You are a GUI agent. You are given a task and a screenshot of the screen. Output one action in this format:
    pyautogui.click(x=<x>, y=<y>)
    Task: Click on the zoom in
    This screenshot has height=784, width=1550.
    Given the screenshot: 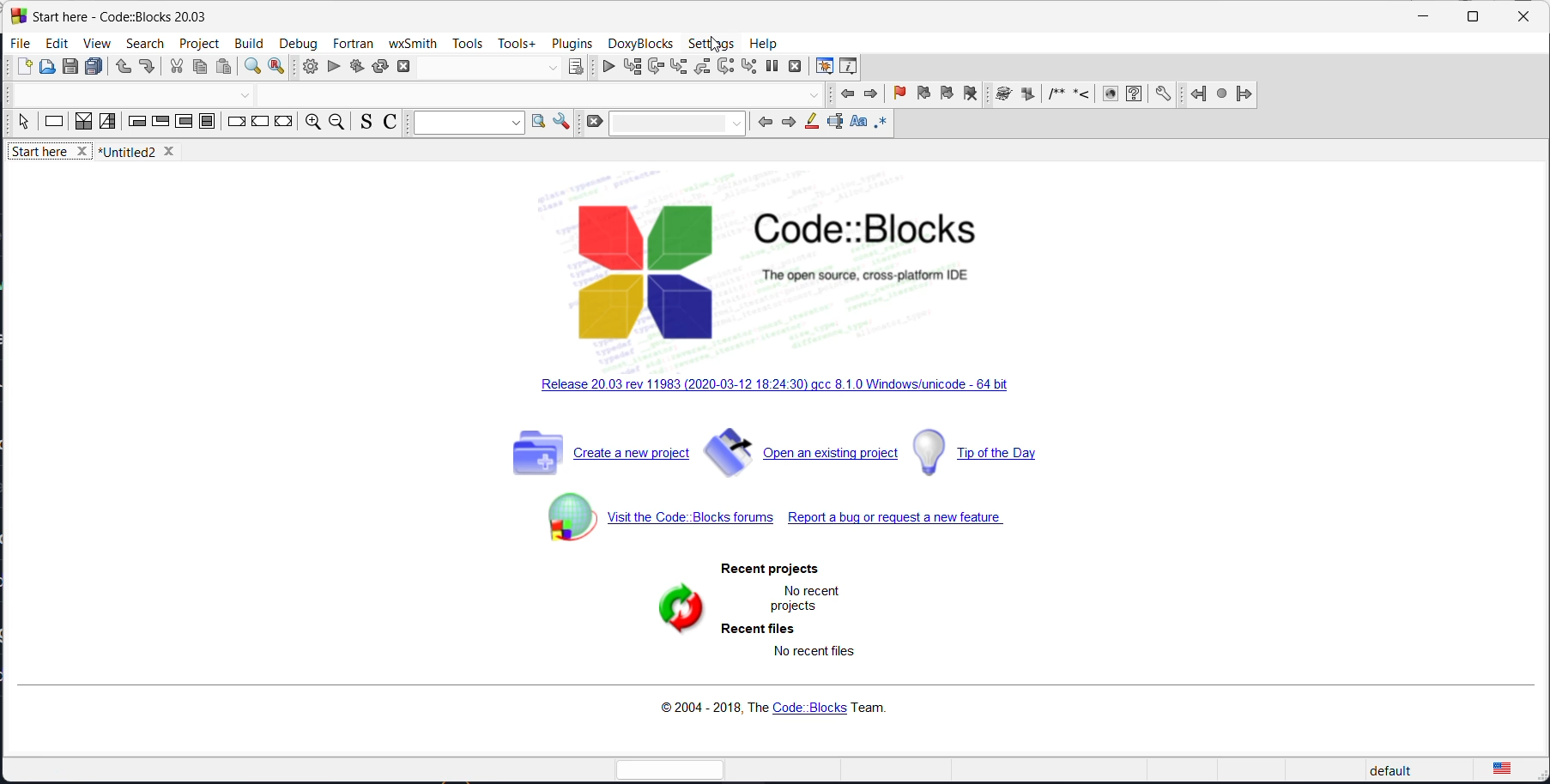 What is the action you would take?
    pyautogui.click(x=311, y=124)
    